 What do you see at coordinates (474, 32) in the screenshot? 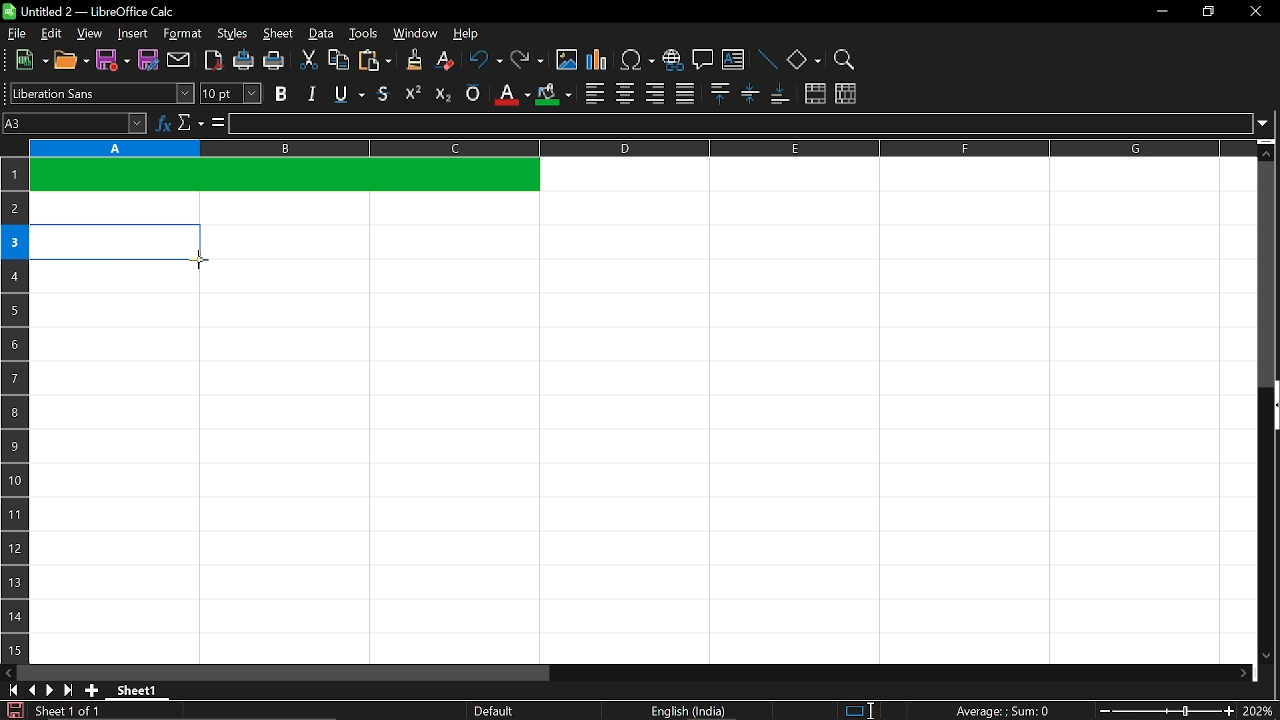
I see `help` at bounding box center [474, 32].